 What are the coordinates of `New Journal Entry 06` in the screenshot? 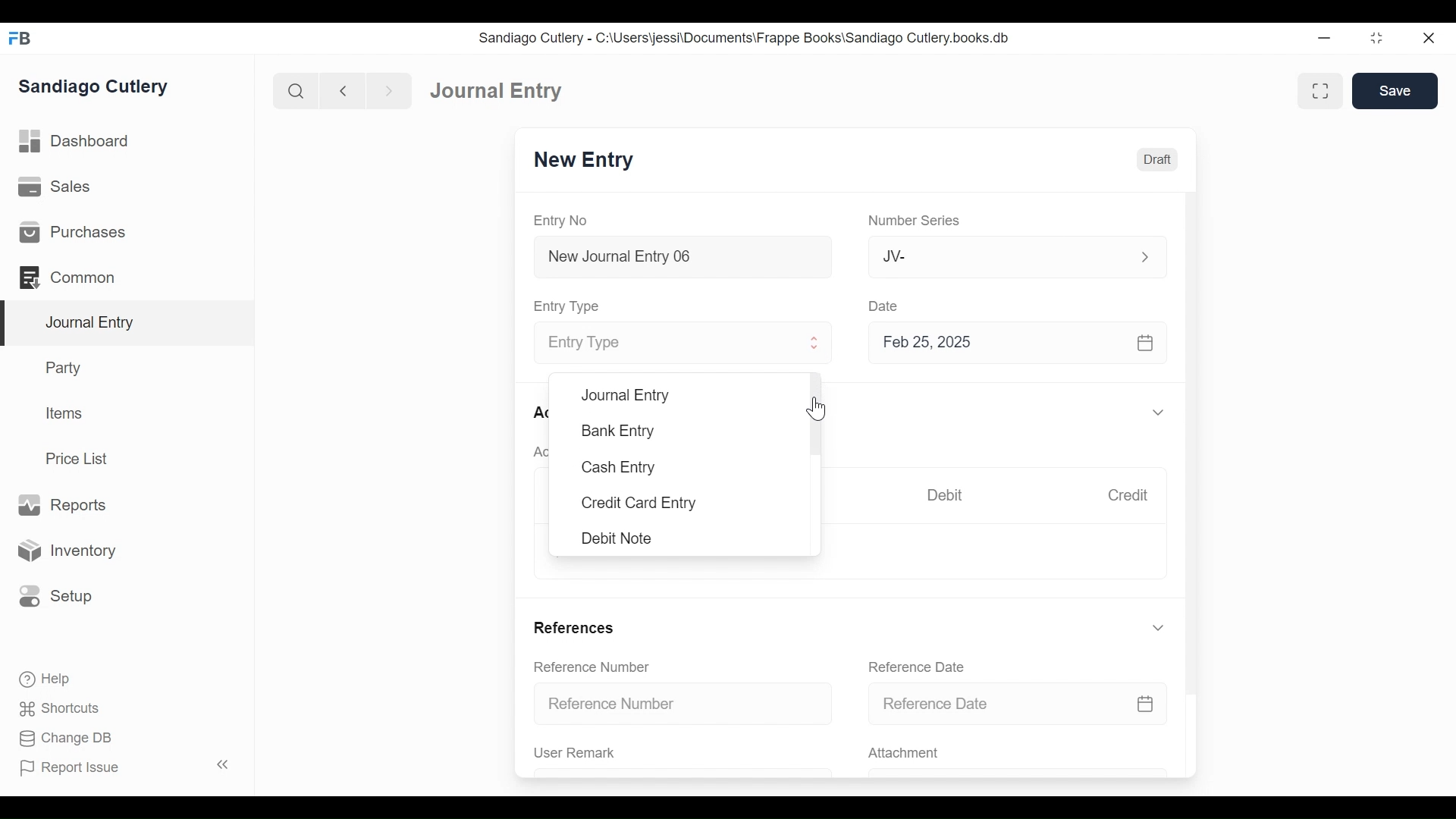 It's located at (680, 259).